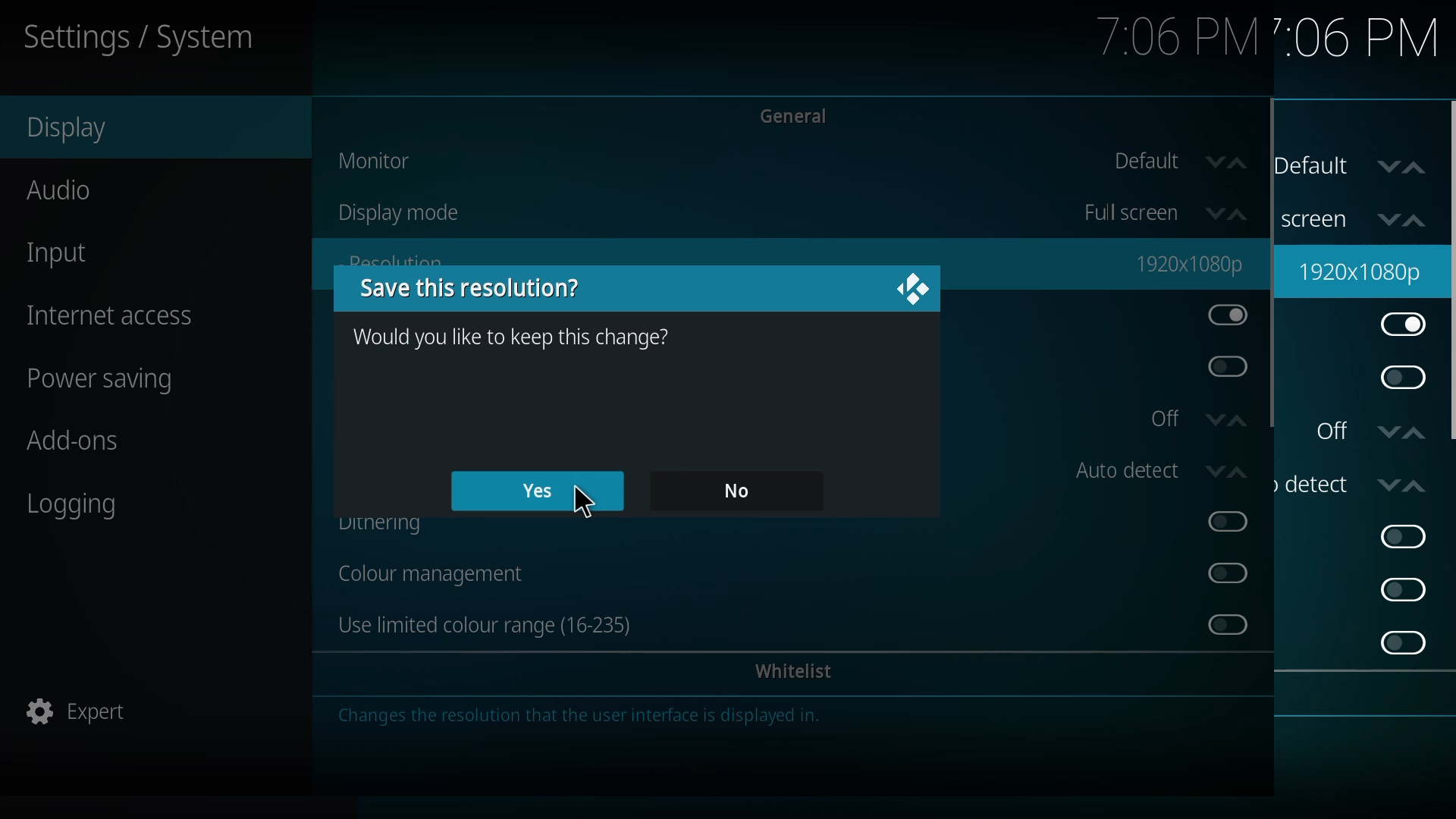 This screenshot has height=819, width=1456. I want to click on close, so click(916, 287).